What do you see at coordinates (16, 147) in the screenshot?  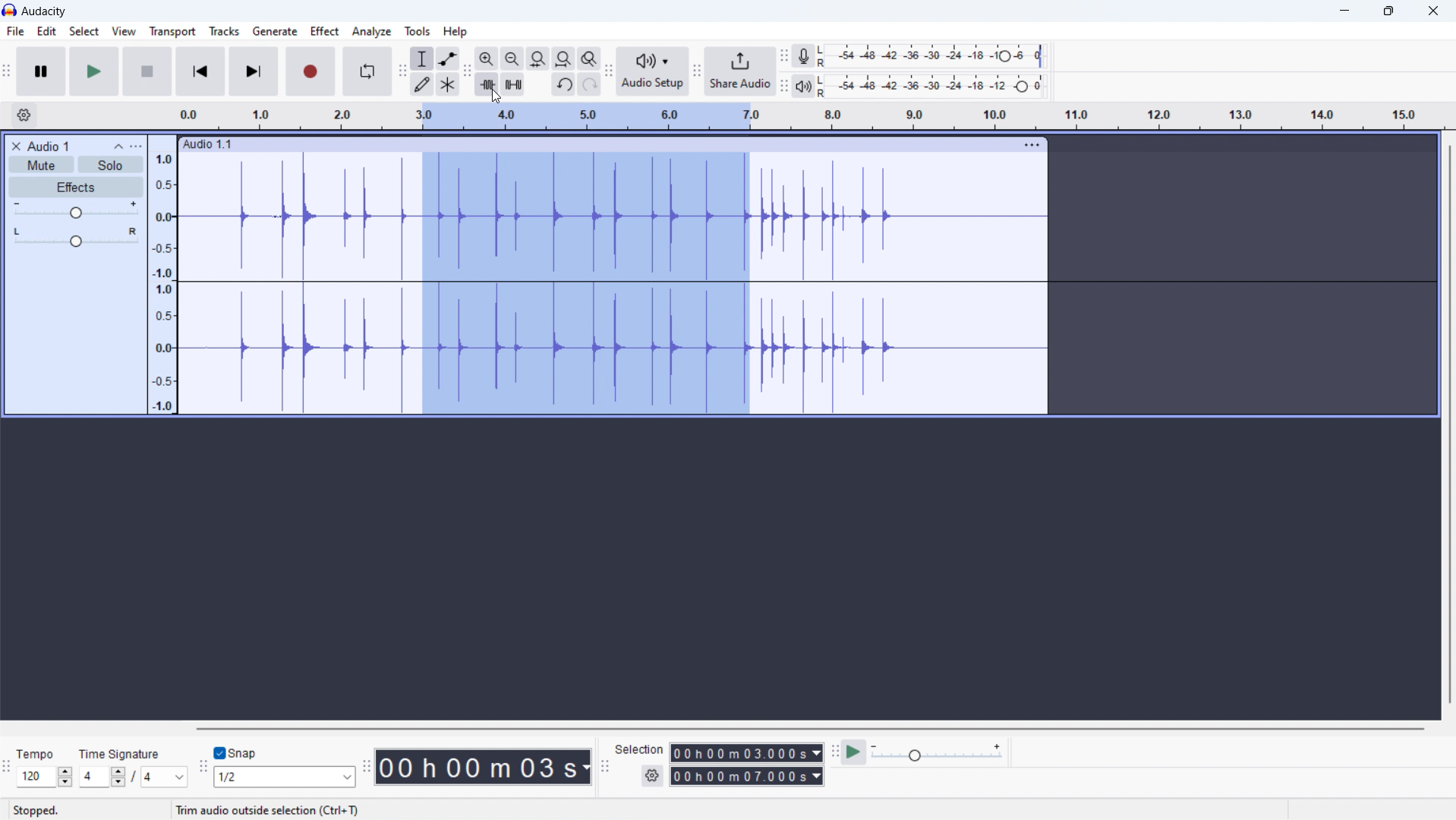 I see `delete audio` at bounding box center [16, 147].